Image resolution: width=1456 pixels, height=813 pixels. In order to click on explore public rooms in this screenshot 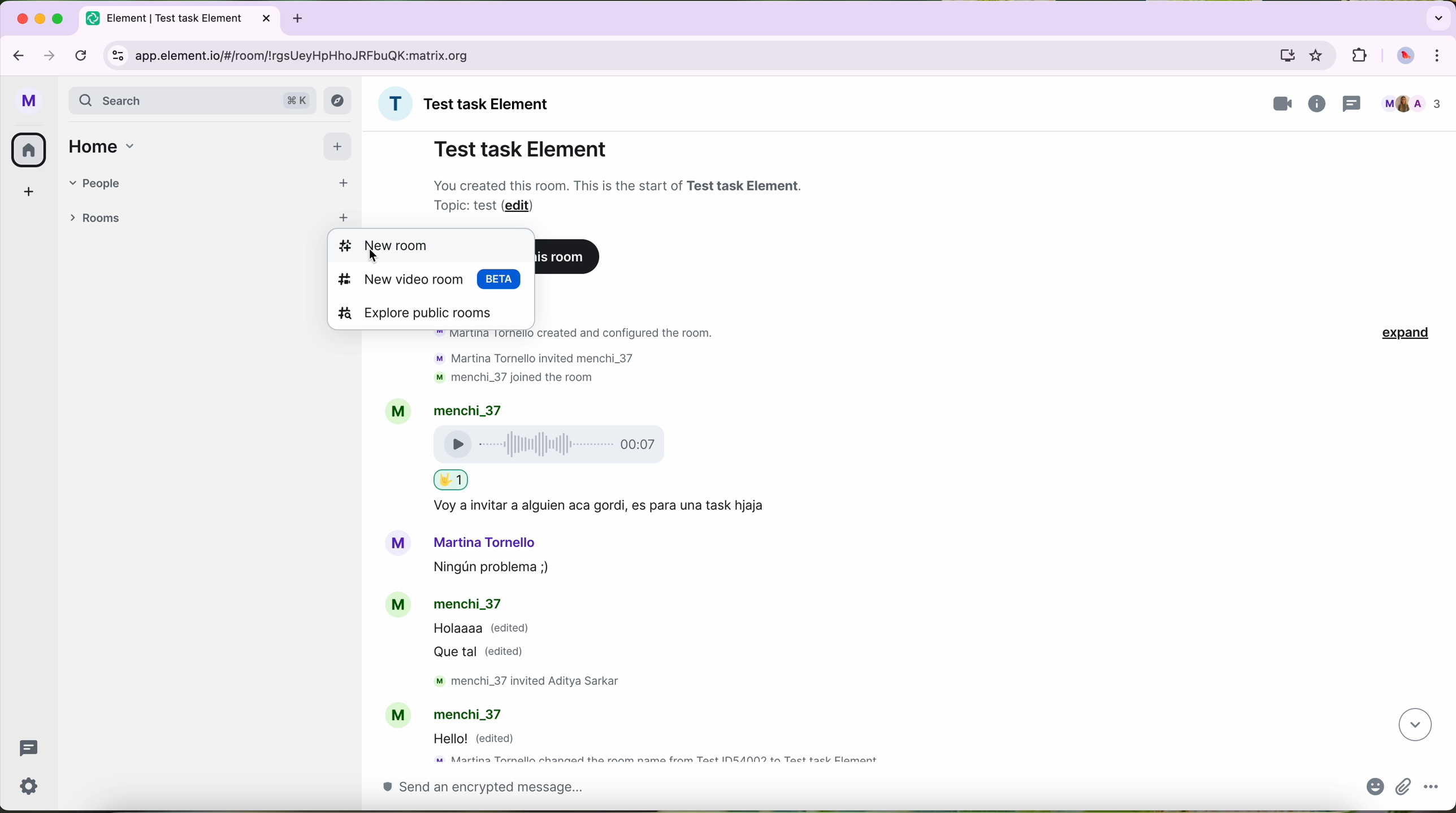, I will do `click(431, 315)`.